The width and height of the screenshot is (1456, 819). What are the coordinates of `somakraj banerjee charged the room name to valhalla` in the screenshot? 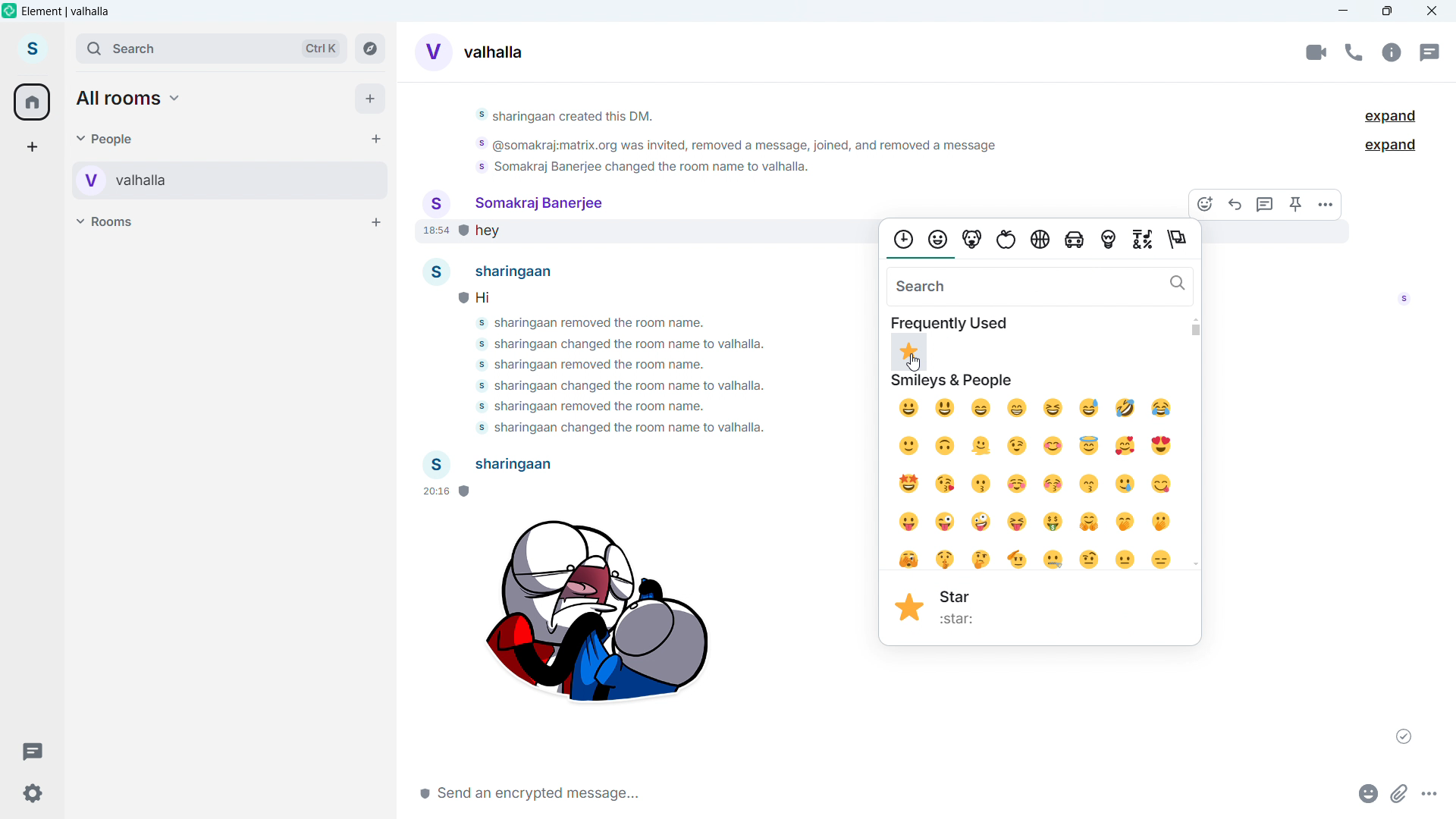 It's located at (614, 428).